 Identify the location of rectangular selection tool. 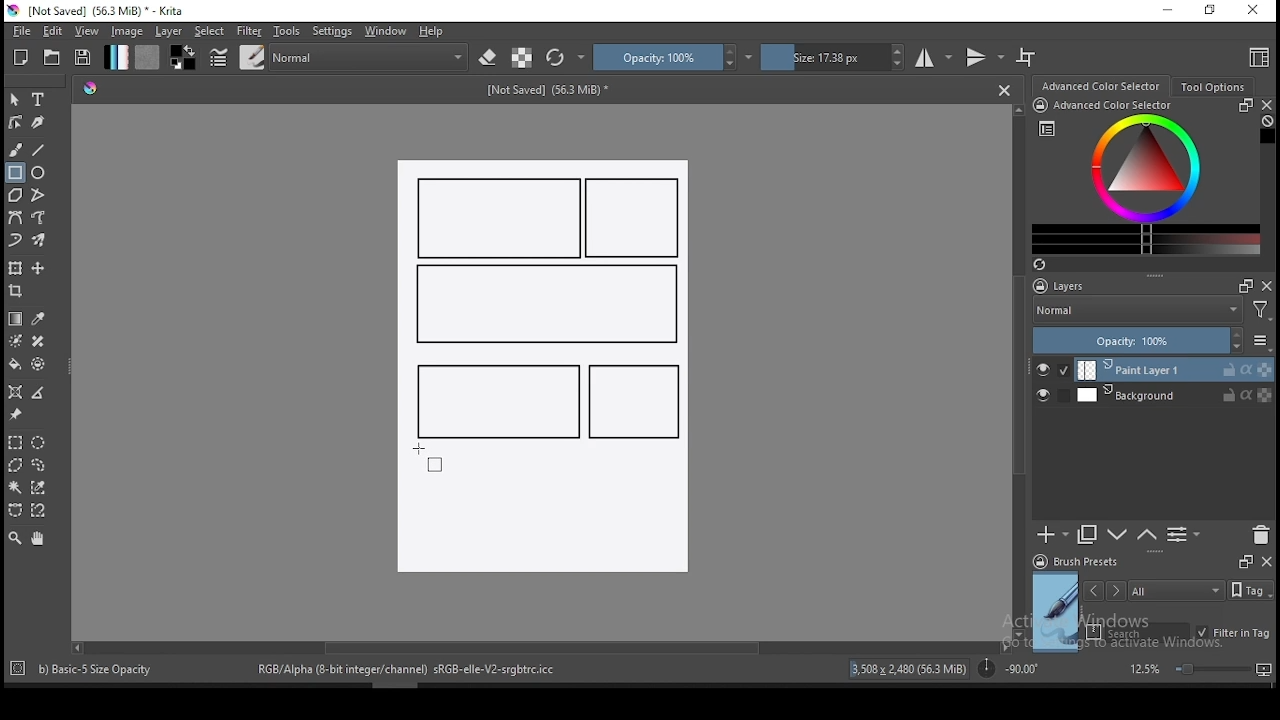
(14, 442).